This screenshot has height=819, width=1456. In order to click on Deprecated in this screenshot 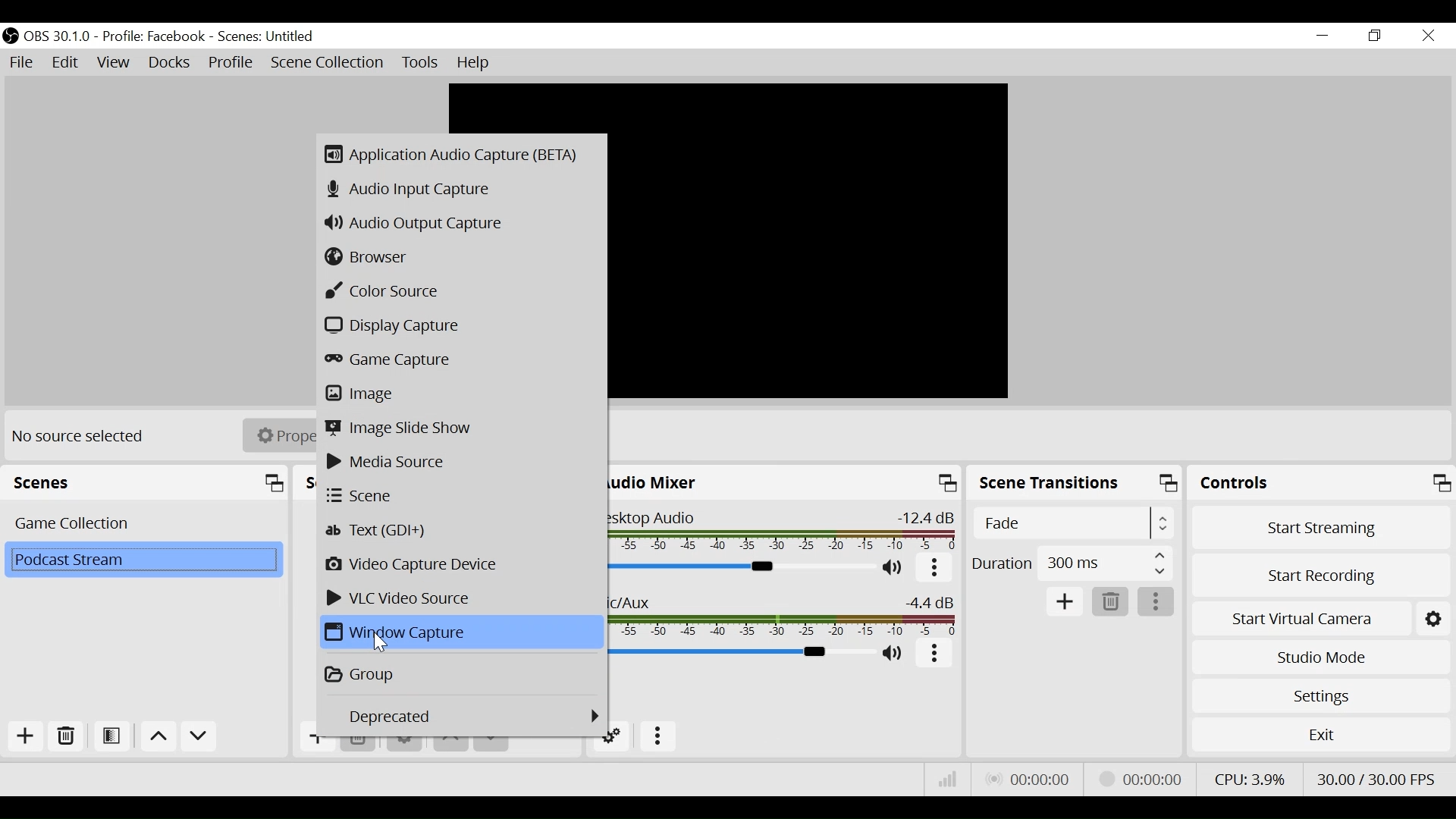, I will do `click(476, 717)`.